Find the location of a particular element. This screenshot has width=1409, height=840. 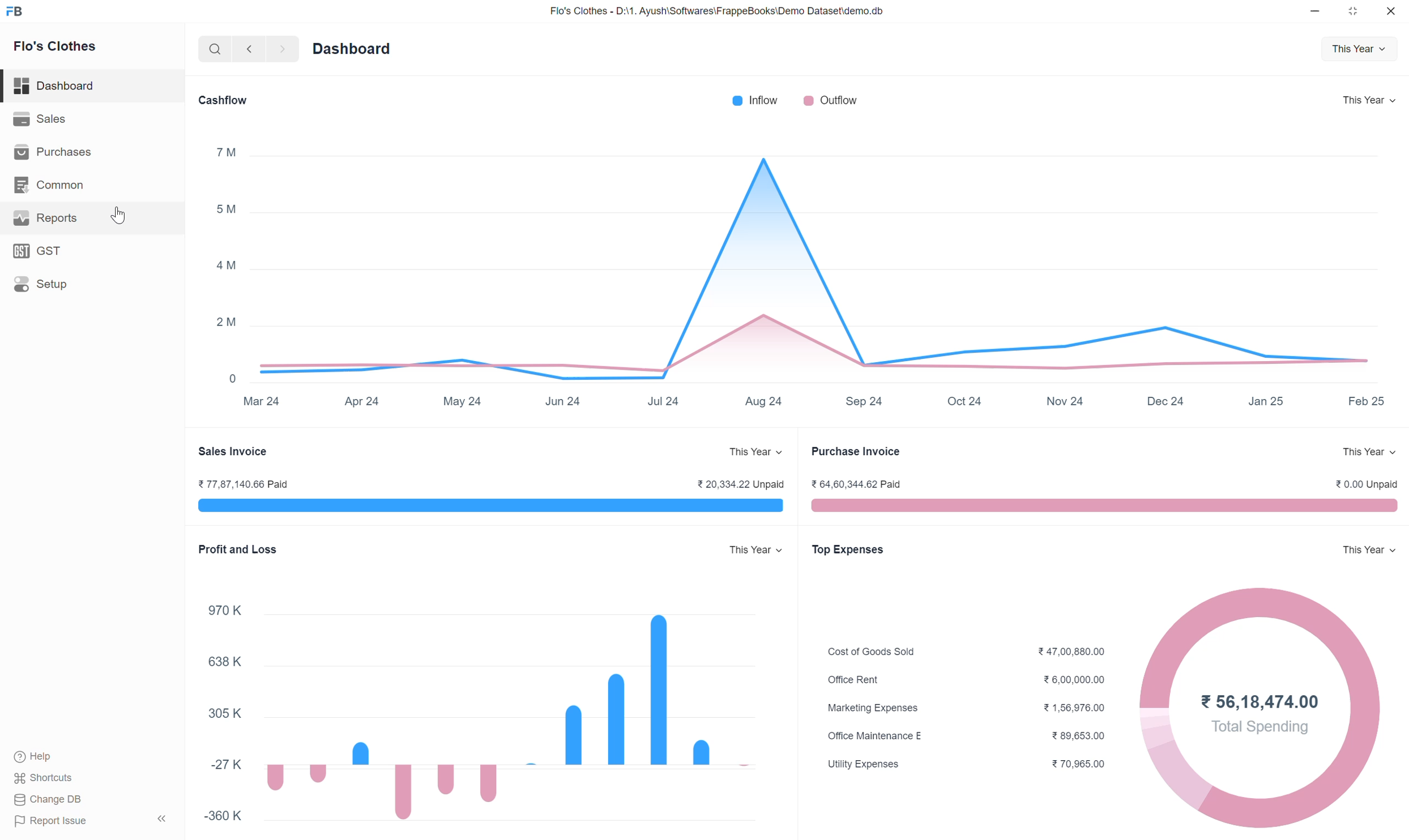

70,965.00 is located at coordinates (1081, 763).